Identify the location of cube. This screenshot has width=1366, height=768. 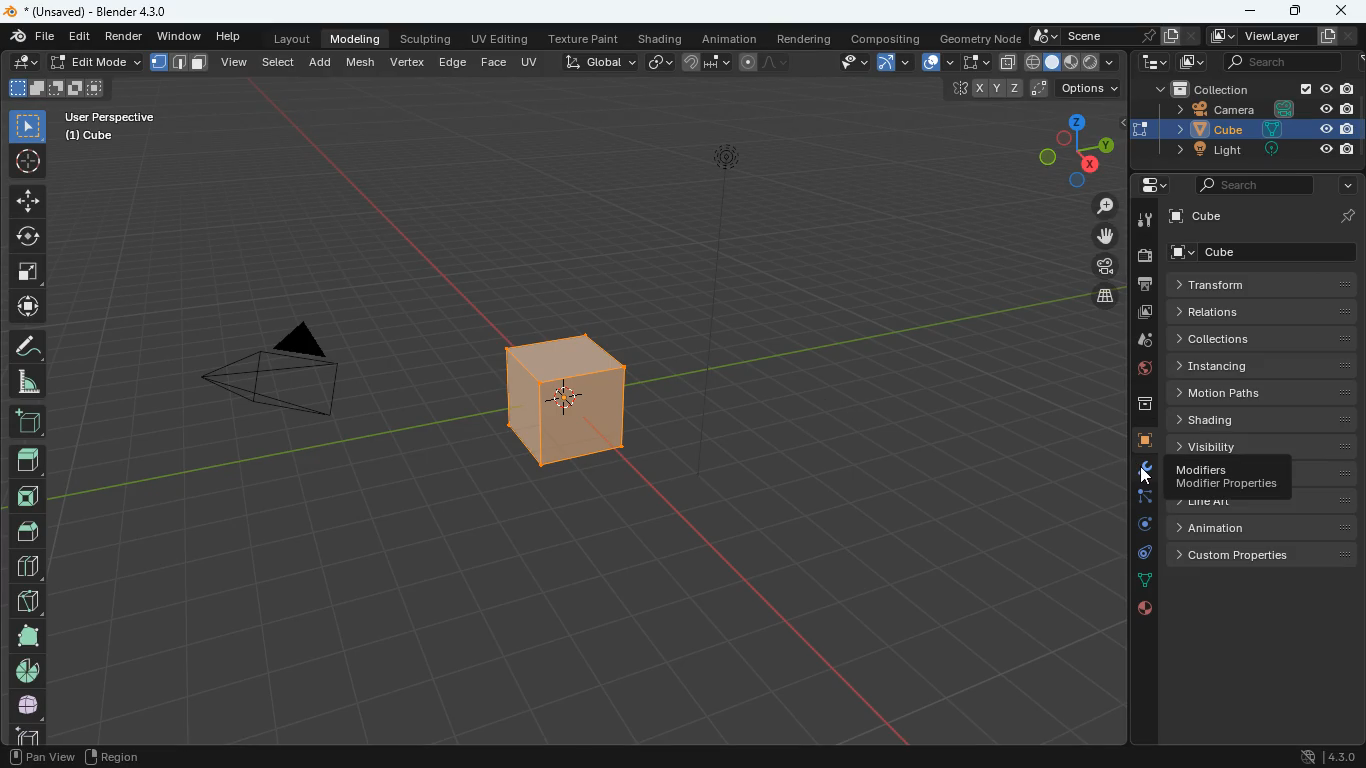
(560, 406).